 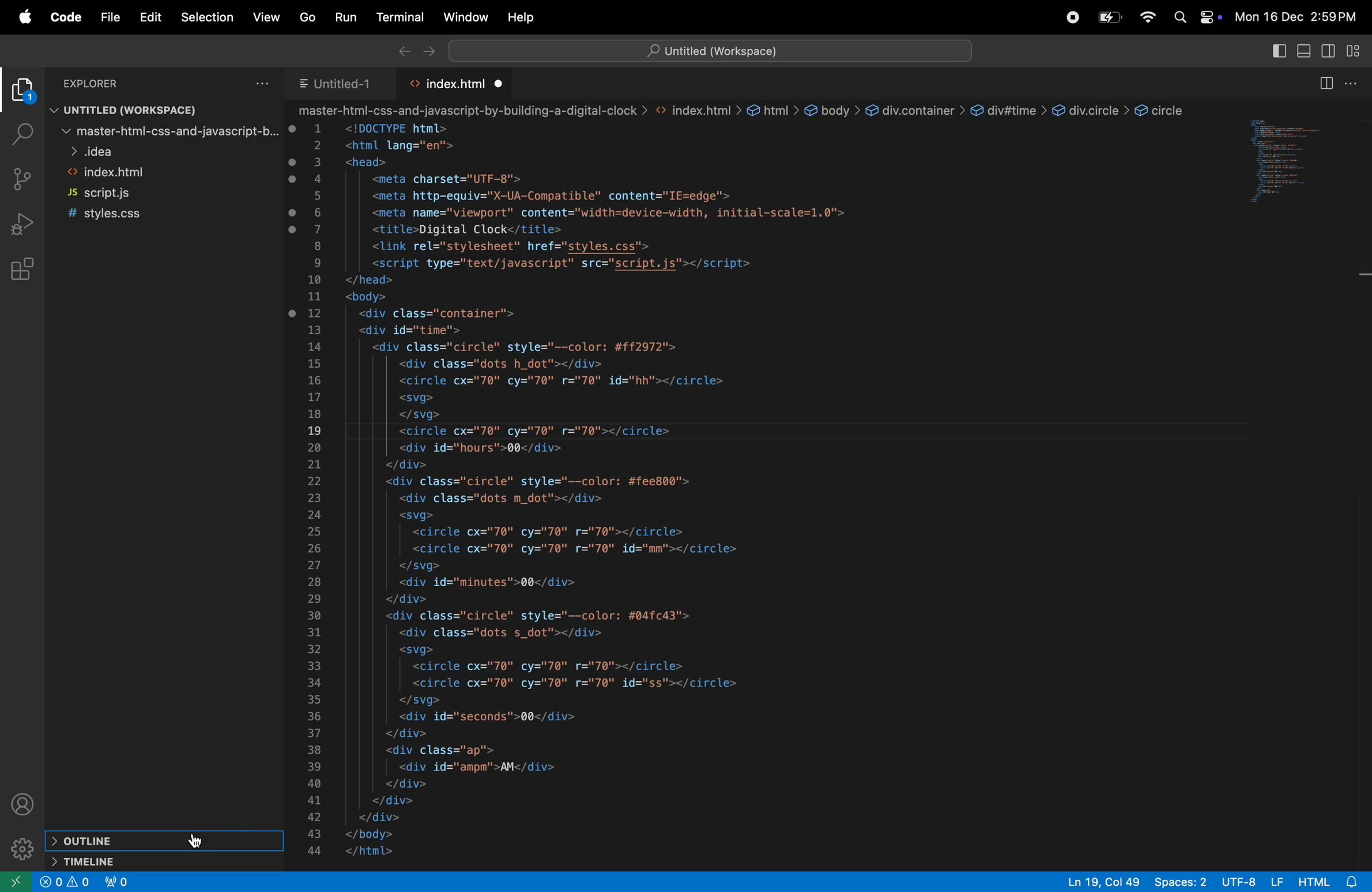 What do you see at coordinates (150, 17) in the screenshot?
I see `edit` at bounding box center [150, 17].